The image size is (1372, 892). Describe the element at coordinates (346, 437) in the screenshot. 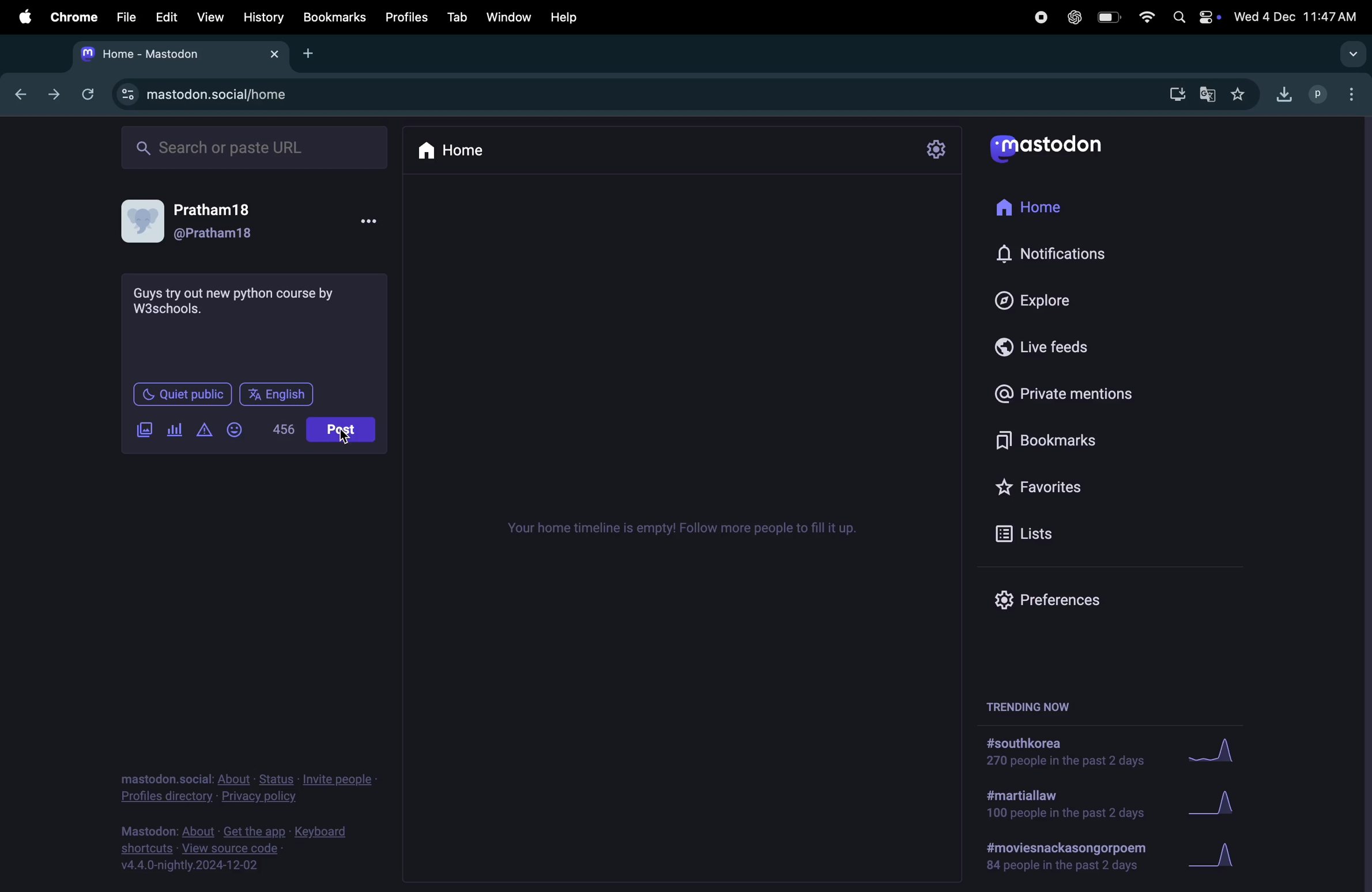

I see `cursor` at that location.